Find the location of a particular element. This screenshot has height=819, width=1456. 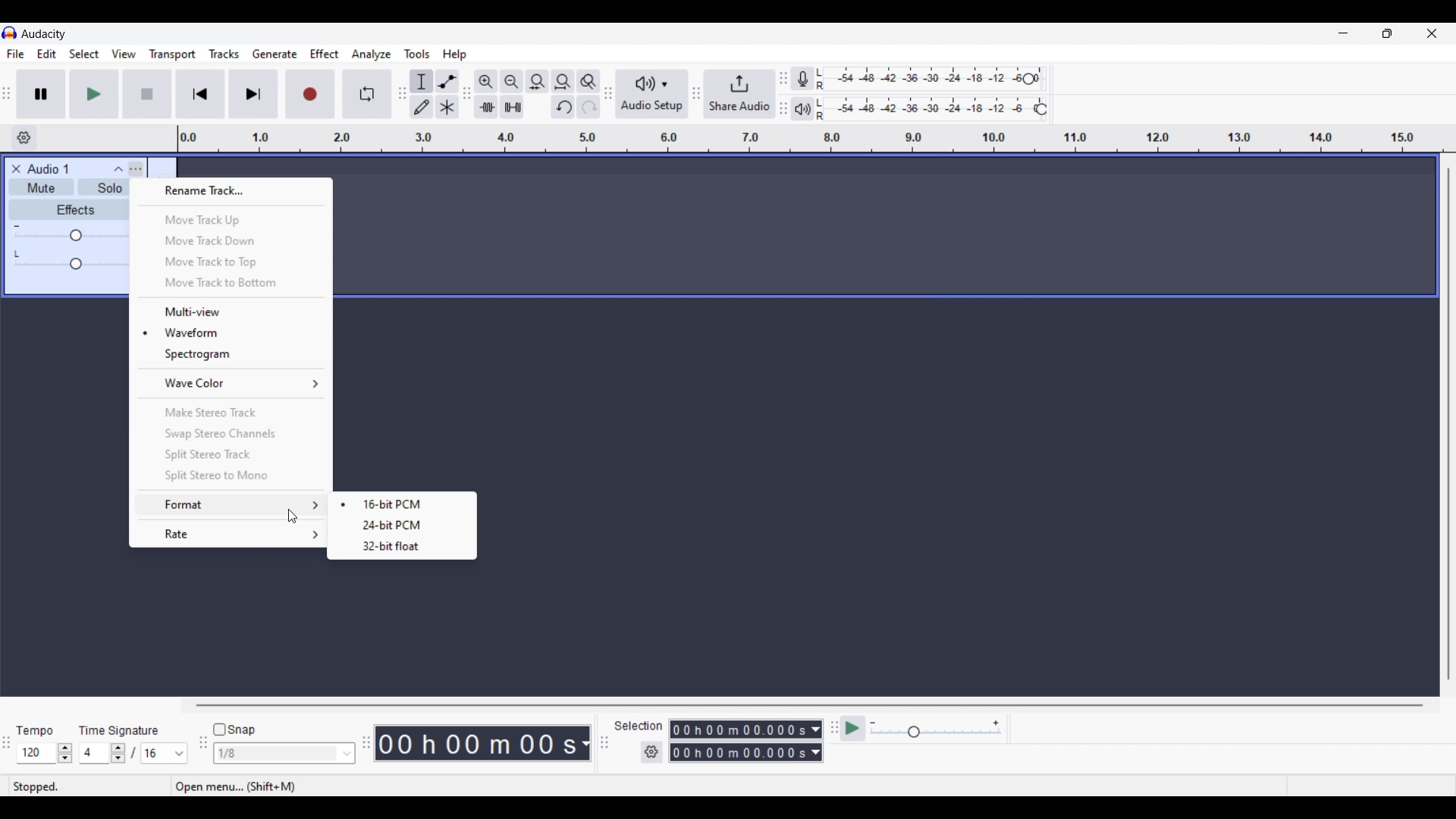

Selected time signature is located at coordinates (156, 754).